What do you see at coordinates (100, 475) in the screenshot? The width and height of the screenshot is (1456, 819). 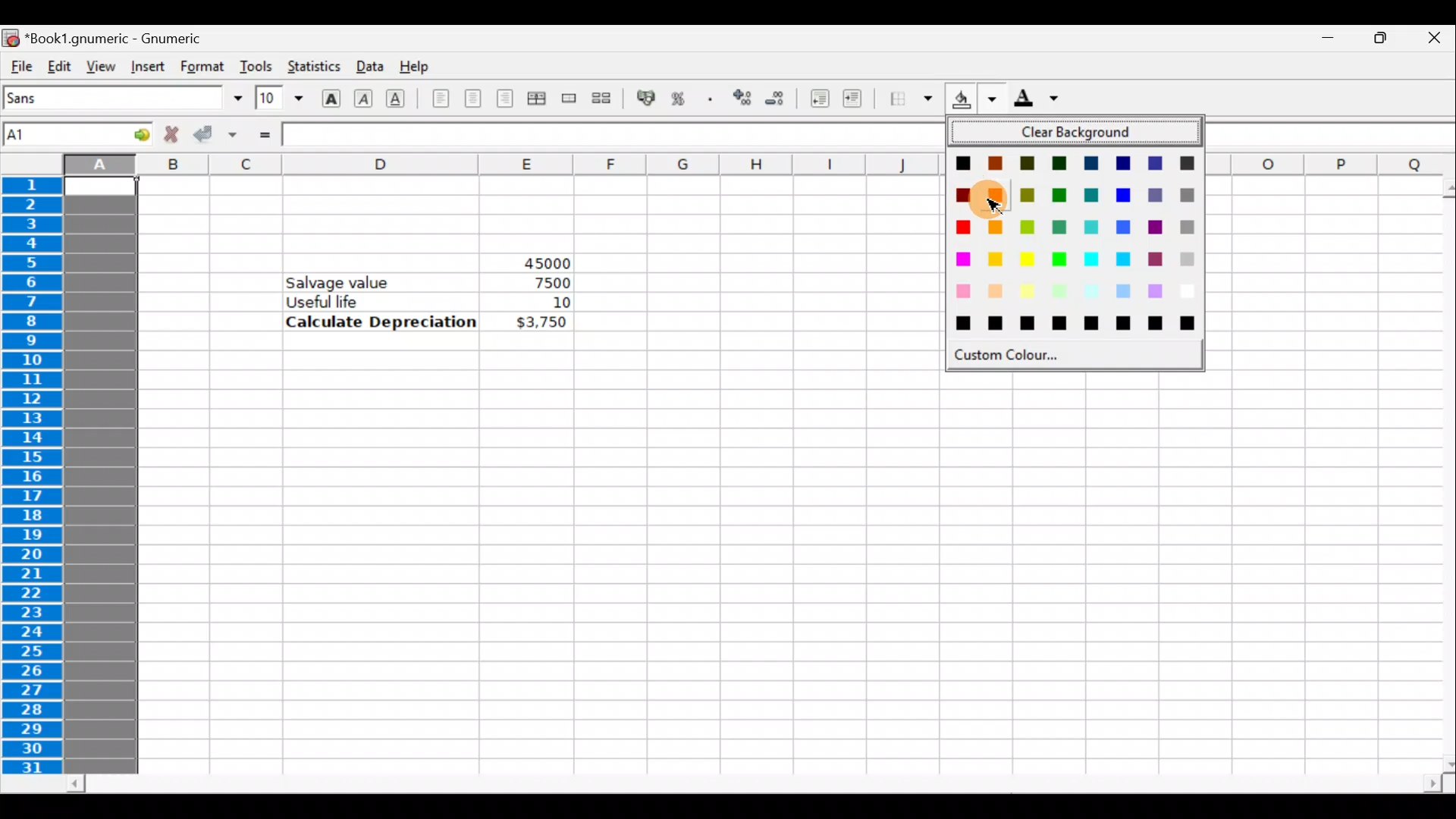 I see `Column A selected` at bounding box center [100, 475].